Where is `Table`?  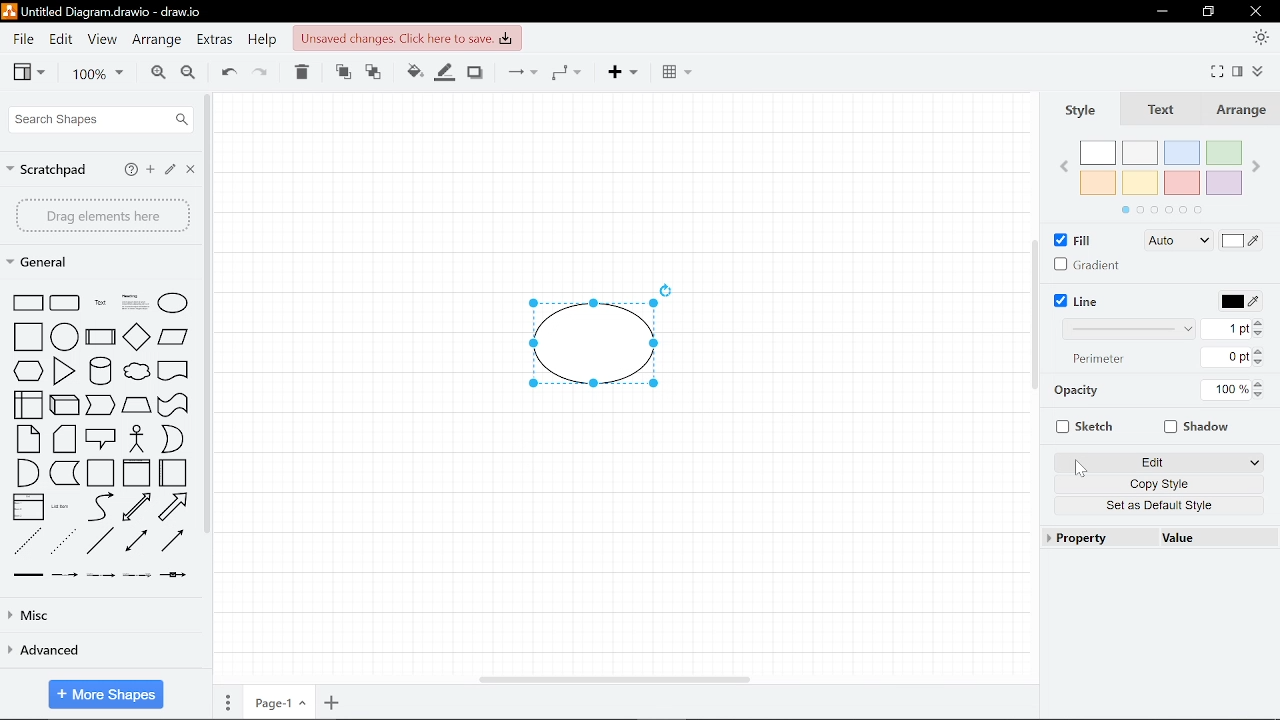 Table is located at coordinates (678, 71).